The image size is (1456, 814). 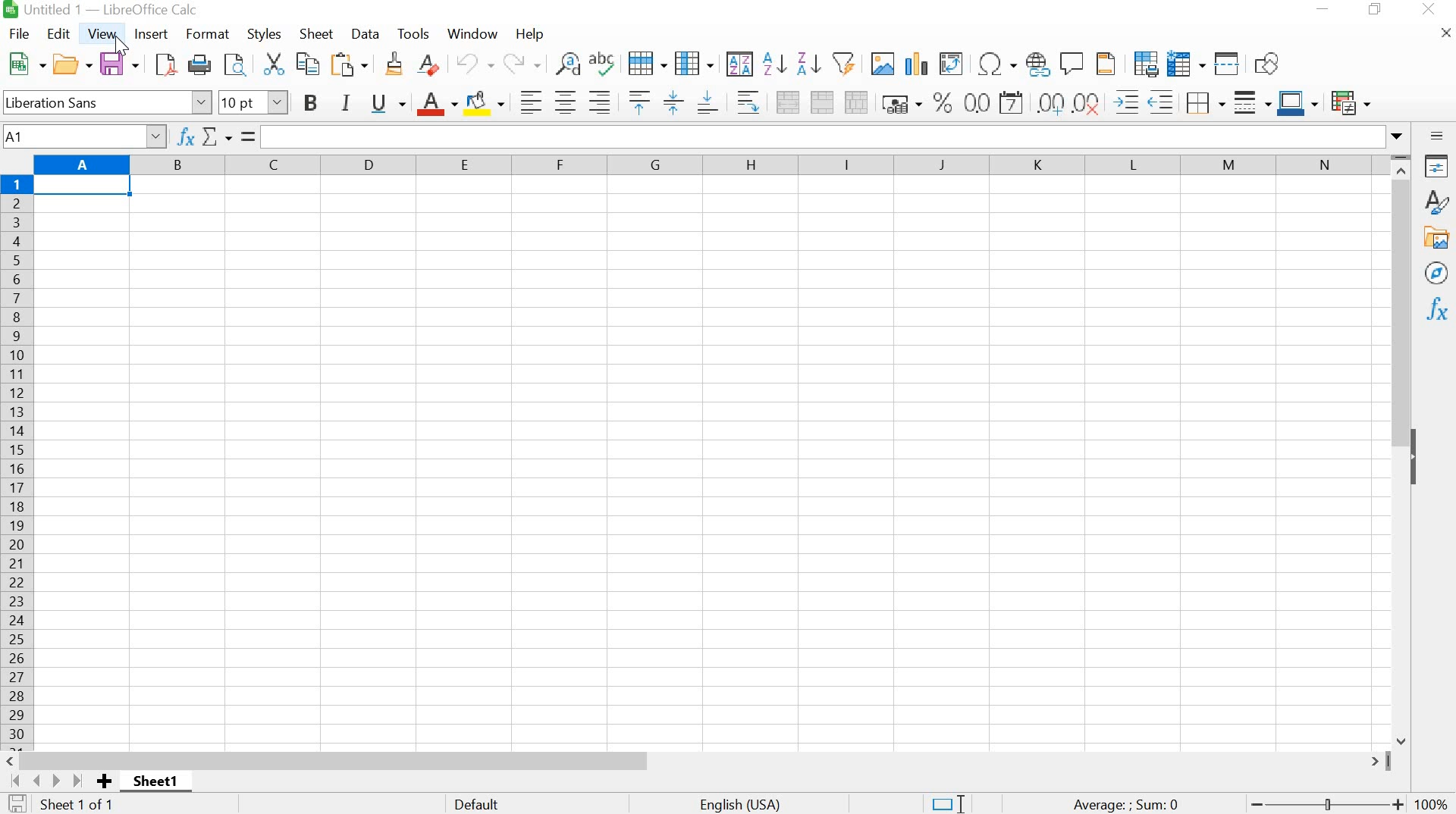 What do you see at coordinates (45, 781) in the screenshot?
I see `SCROLL TO SHEET` at bounding box center [45, 781].